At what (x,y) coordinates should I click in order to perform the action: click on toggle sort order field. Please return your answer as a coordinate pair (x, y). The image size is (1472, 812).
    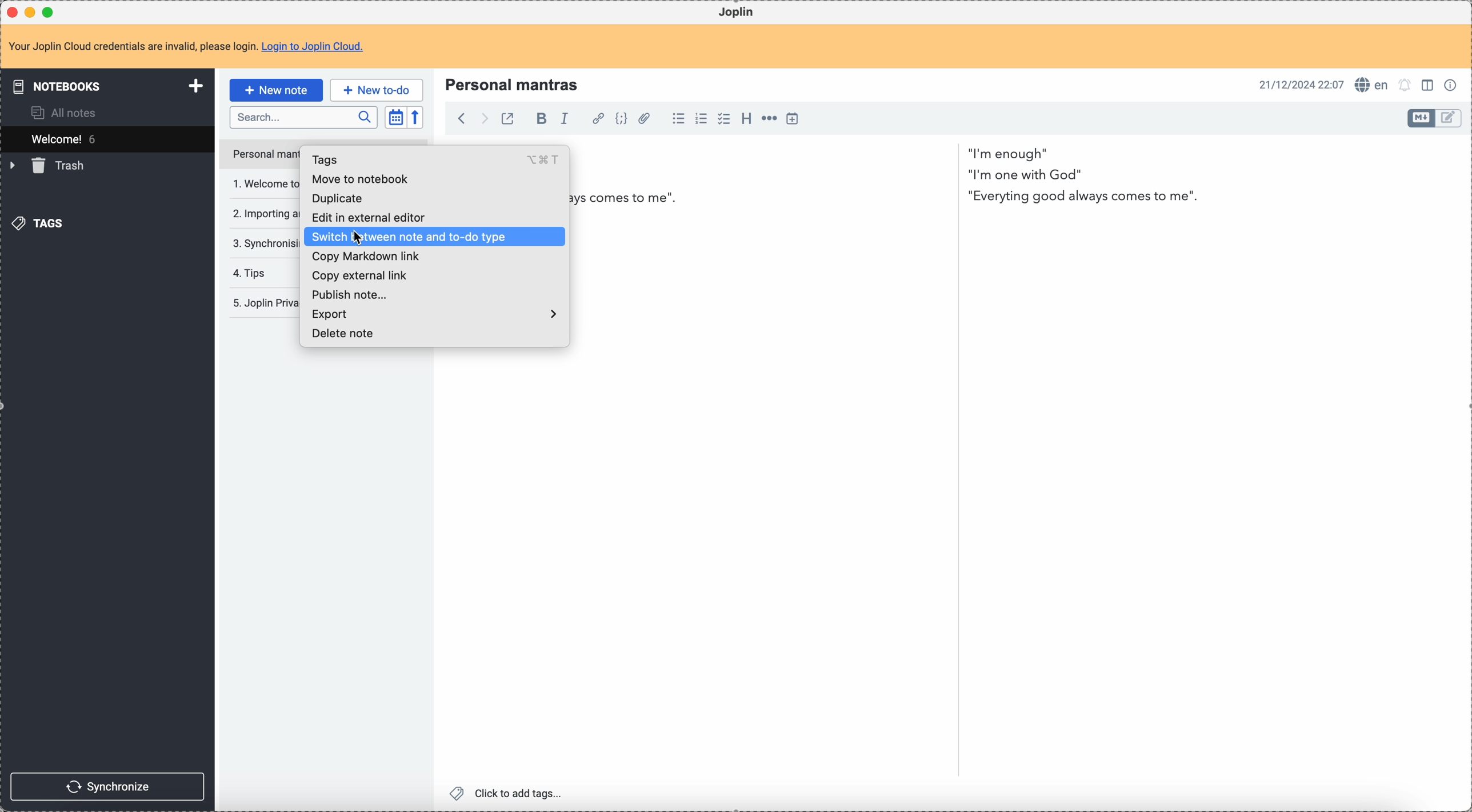
    Looking at the image, I should click on (394, 117).